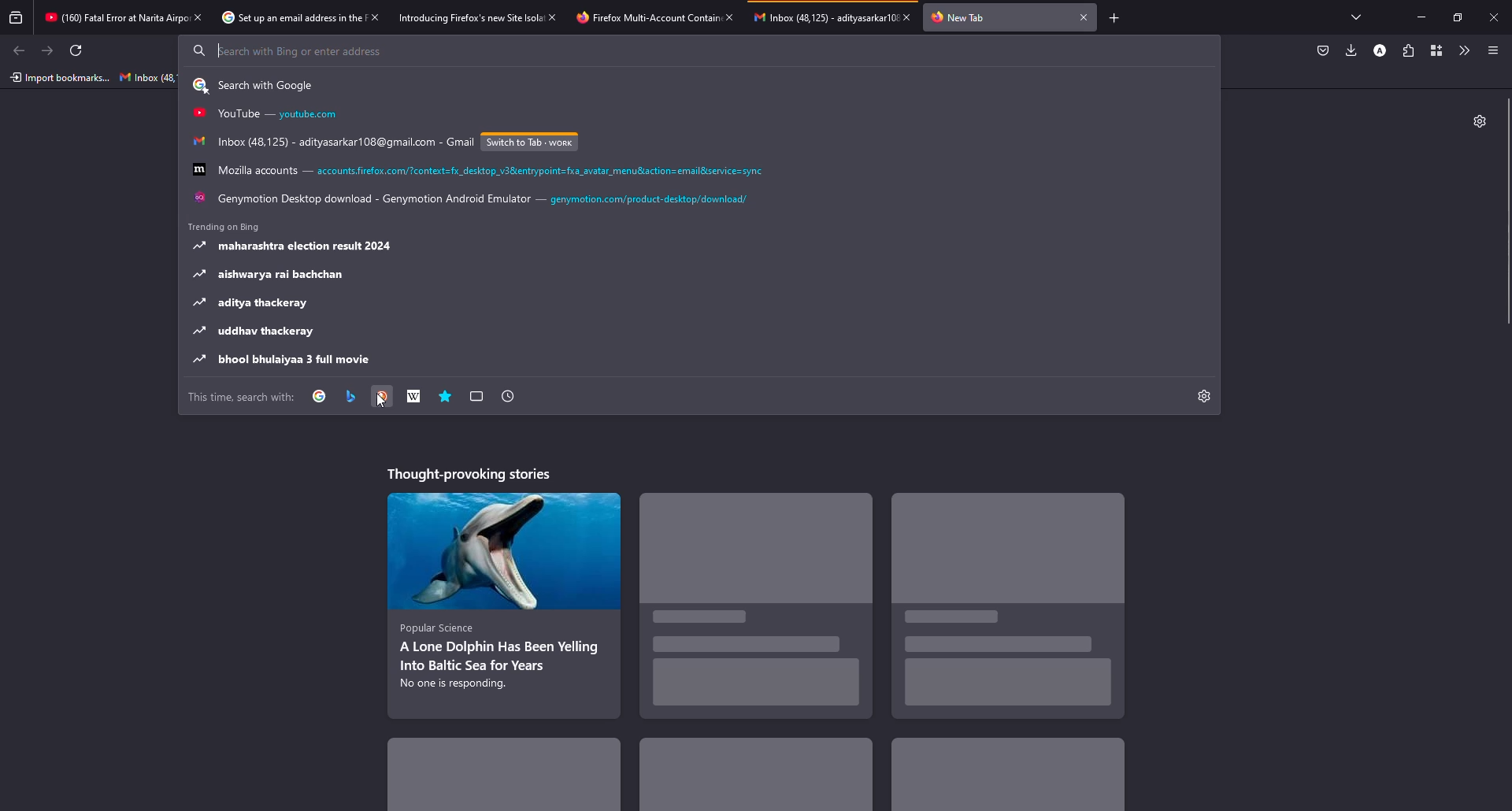  I want to click on menu, so click(1493, 50).